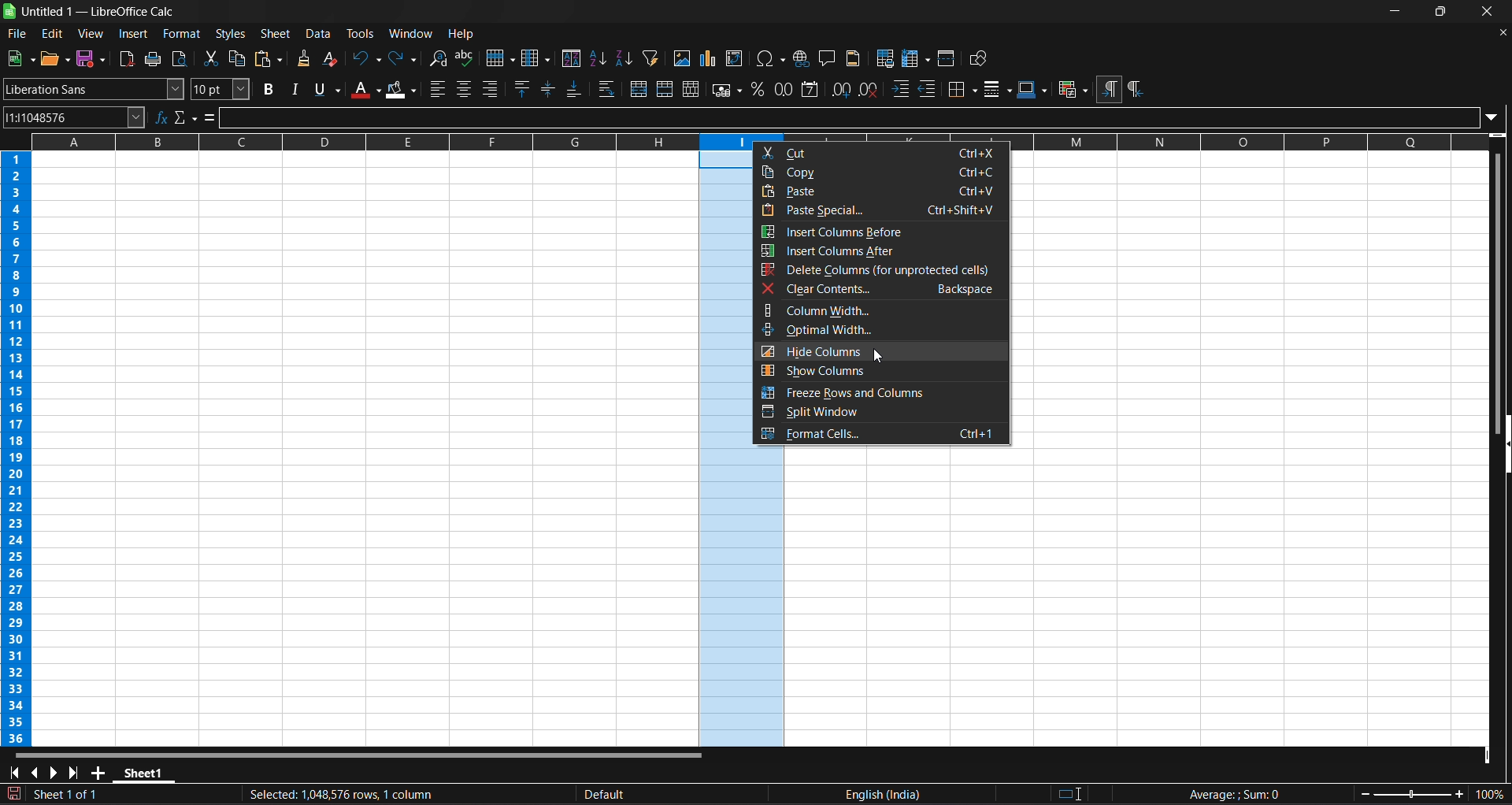 This screenshot has height=805, width=1512. I want to click on unmerge cells, so click(691, 90).